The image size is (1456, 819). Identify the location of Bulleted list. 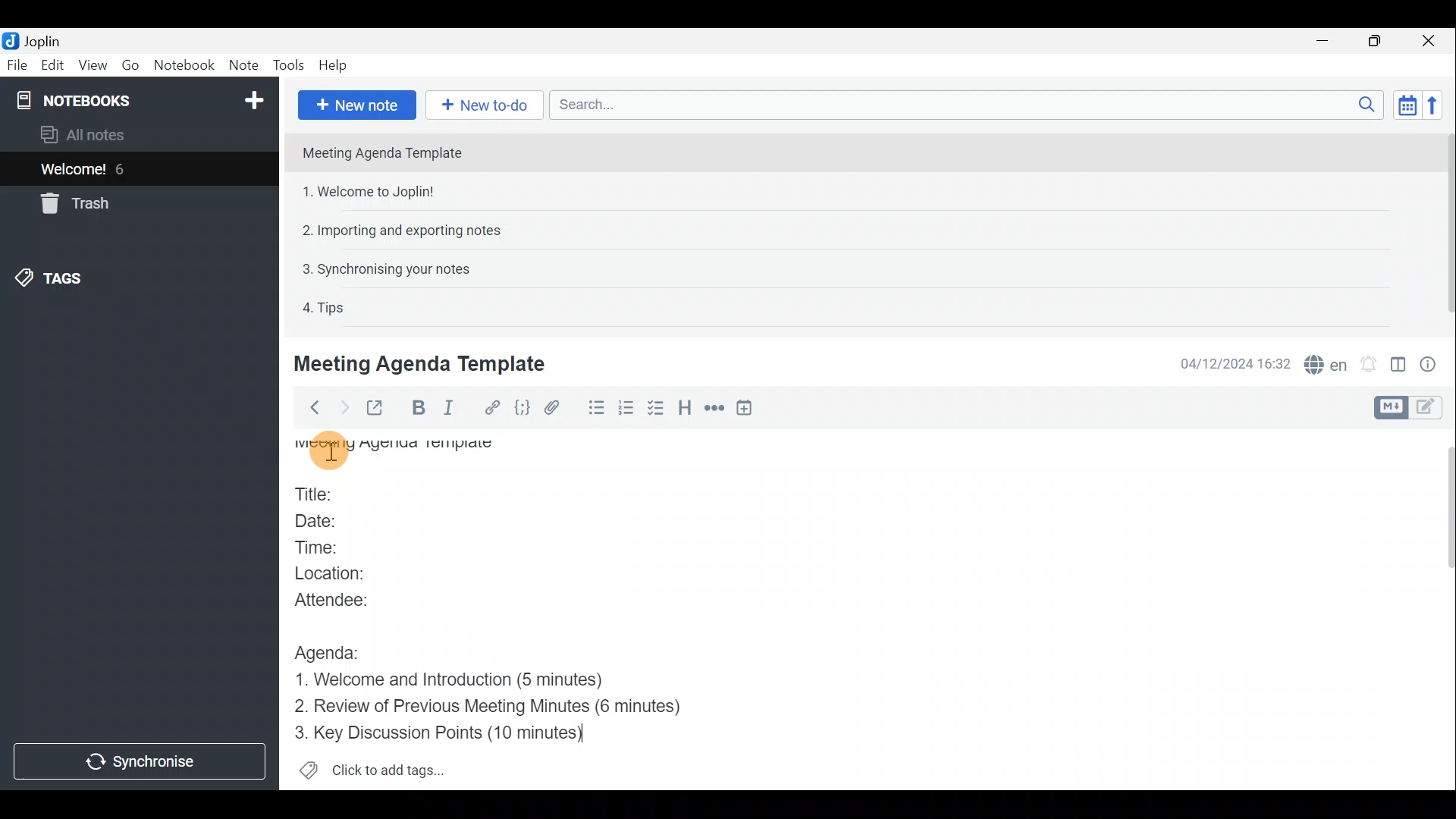
(595, 408).